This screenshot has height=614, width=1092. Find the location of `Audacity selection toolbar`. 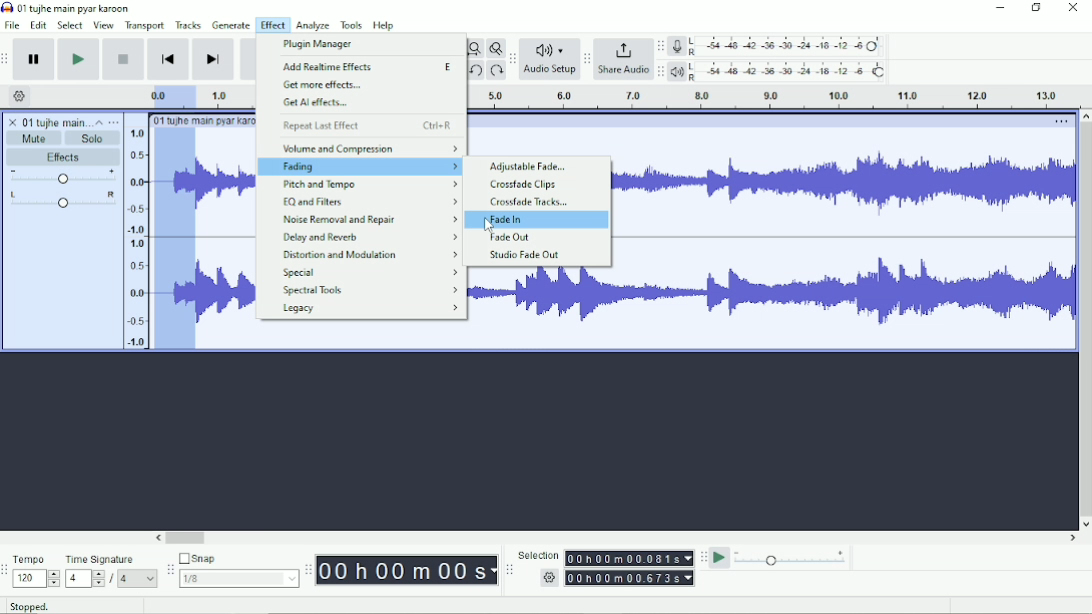

Audacity selection toolbar is located at coordinates (507, 570).